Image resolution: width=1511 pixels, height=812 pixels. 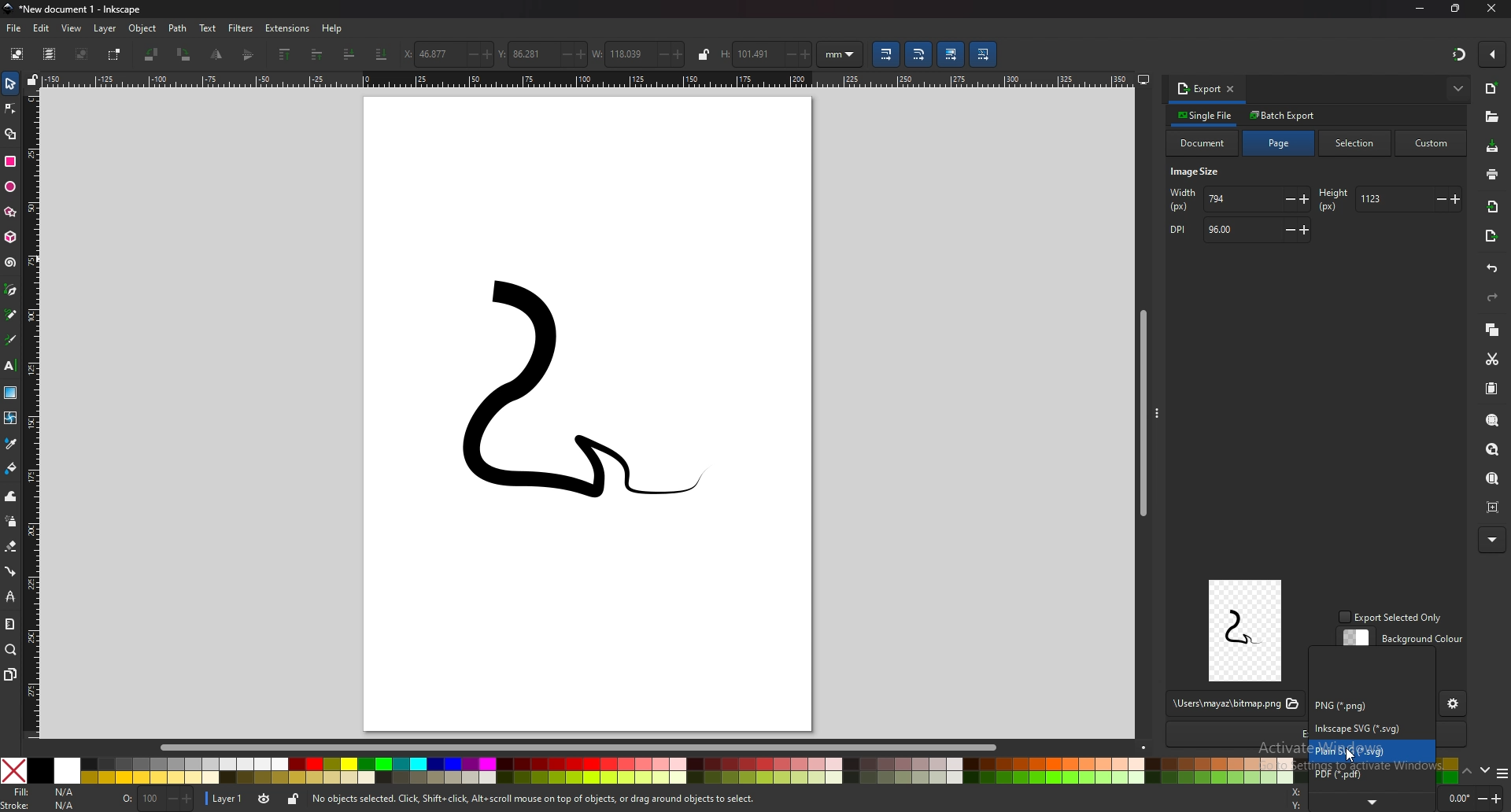 I want to click on file location, so click(x=1234, y=704).